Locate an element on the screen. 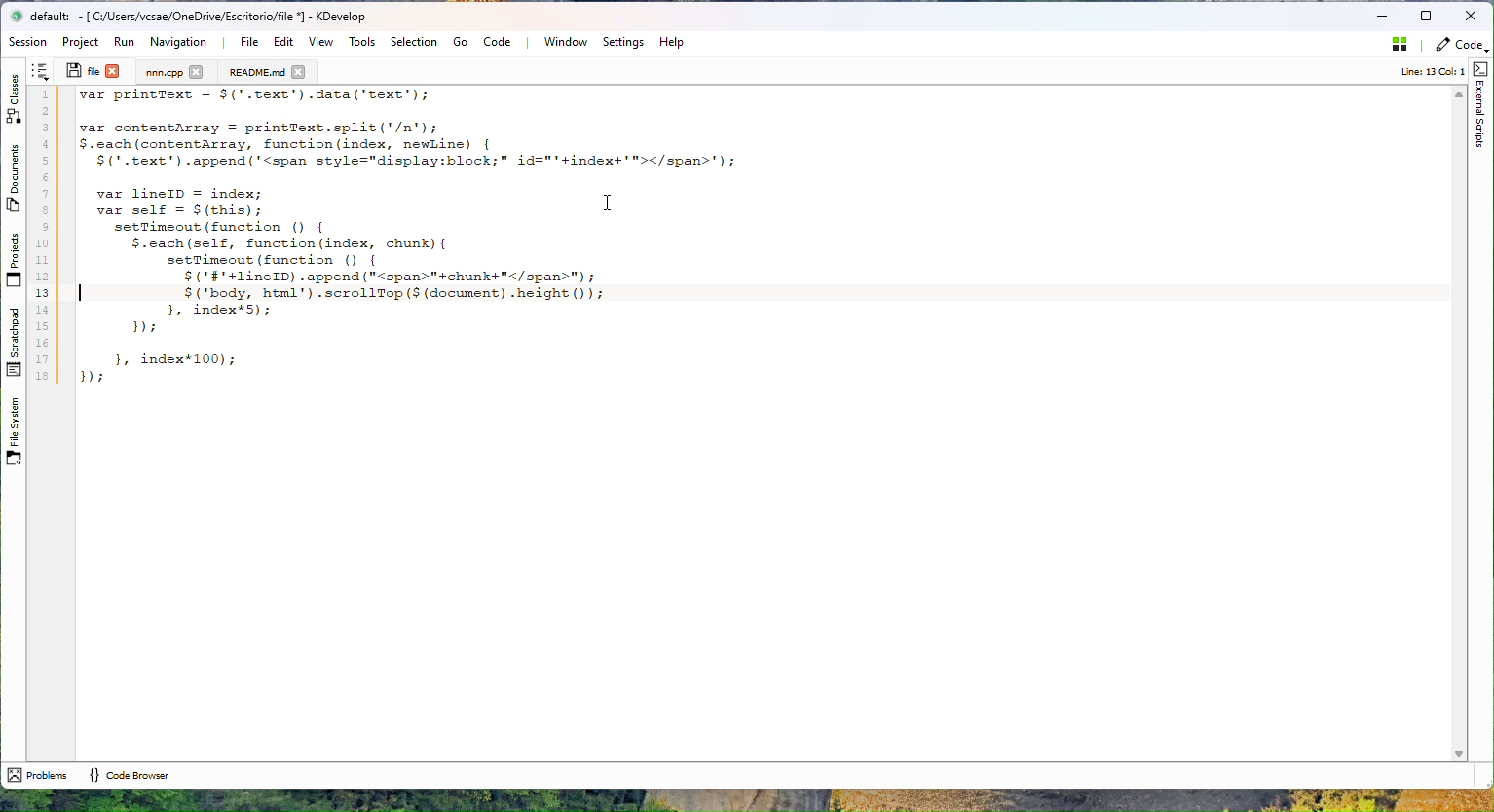  info is located at coordinates (1424, 72).